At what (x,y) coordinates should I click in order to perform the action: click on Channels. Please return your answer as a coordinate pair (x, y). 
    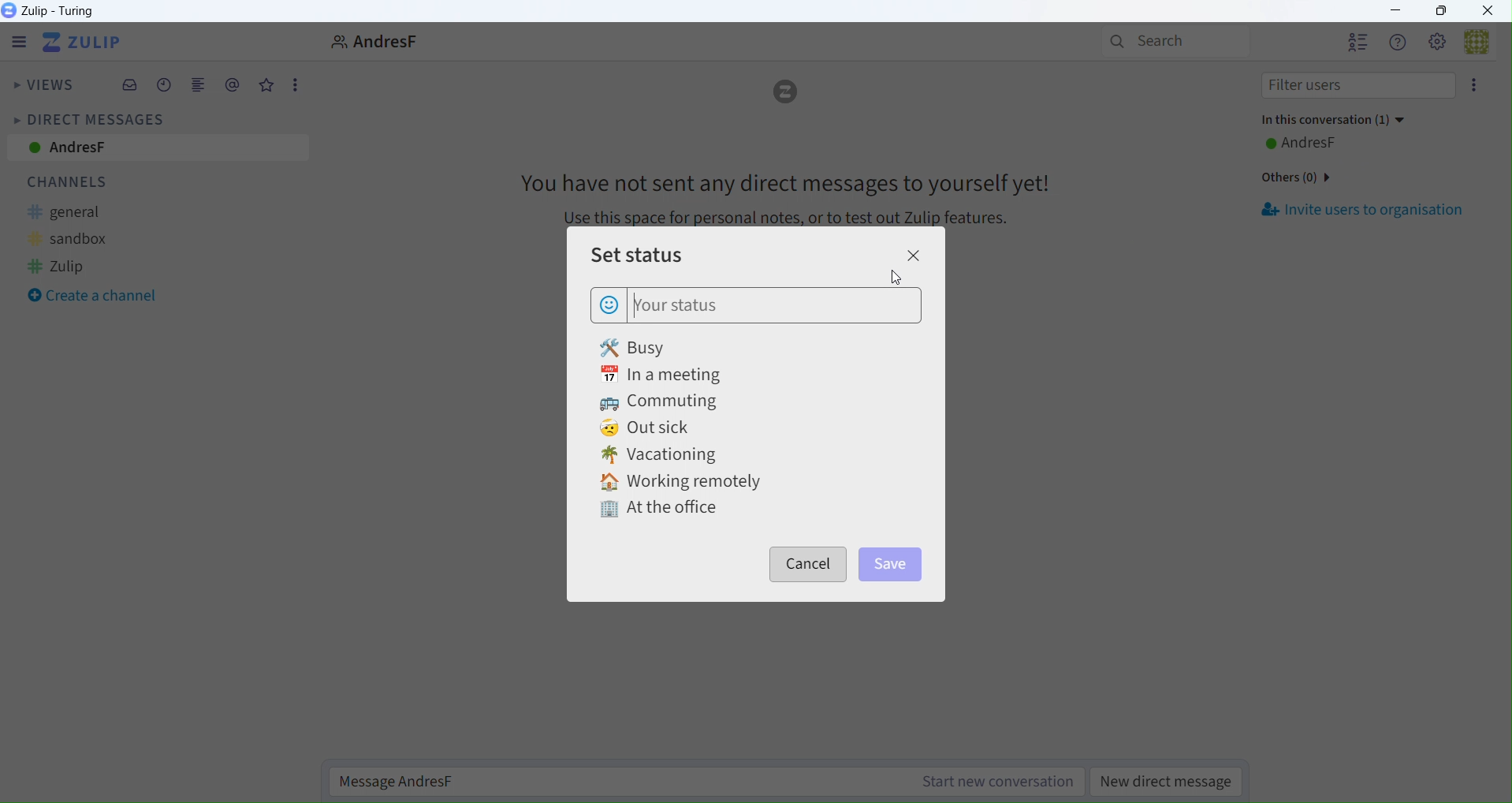
    Looking at the image, I should click on (79, 182).